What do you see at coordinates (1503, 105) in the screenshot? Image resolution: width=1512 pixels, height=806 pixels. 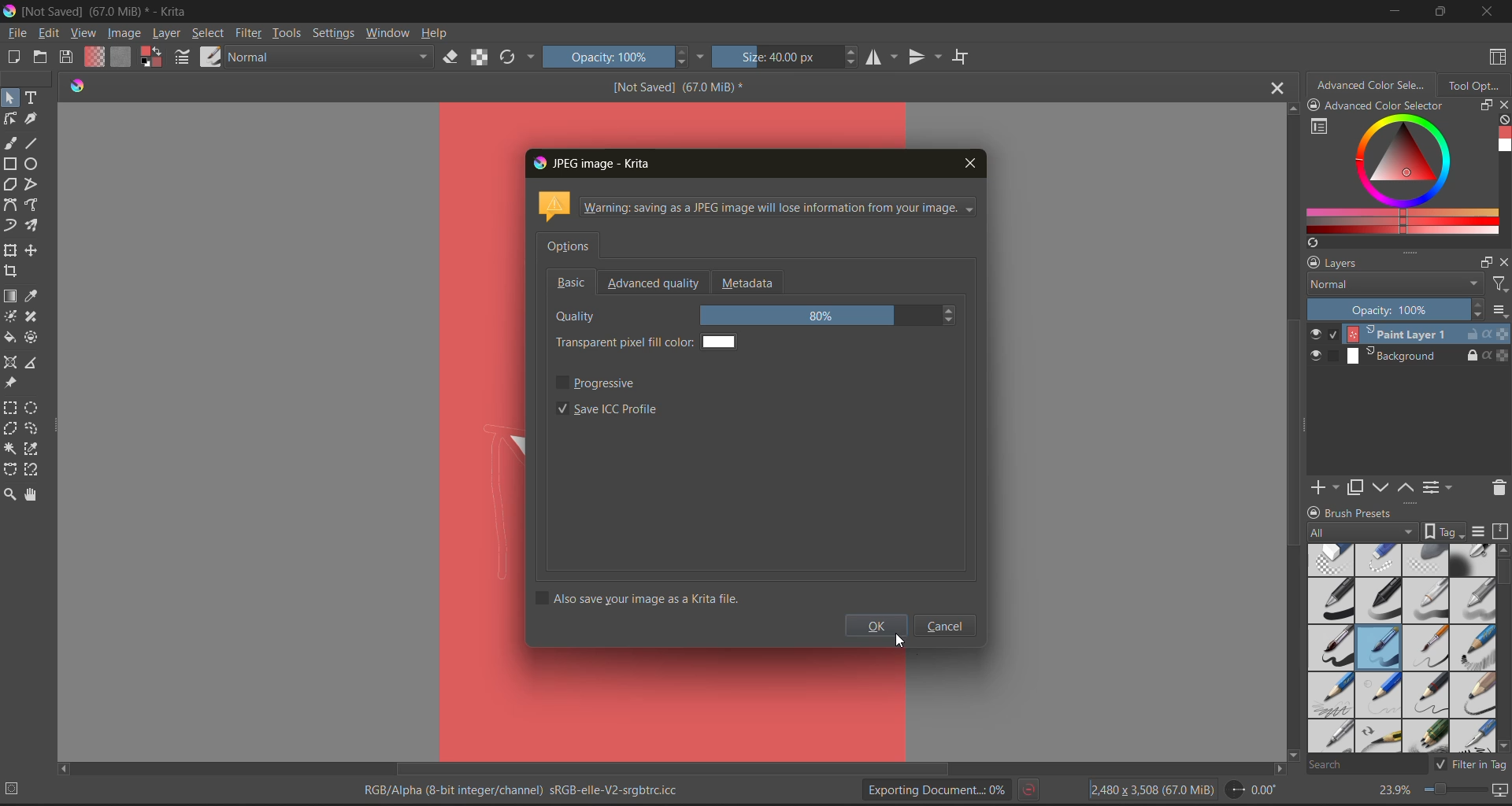 I see `close` at bounding box center [1503, 105].